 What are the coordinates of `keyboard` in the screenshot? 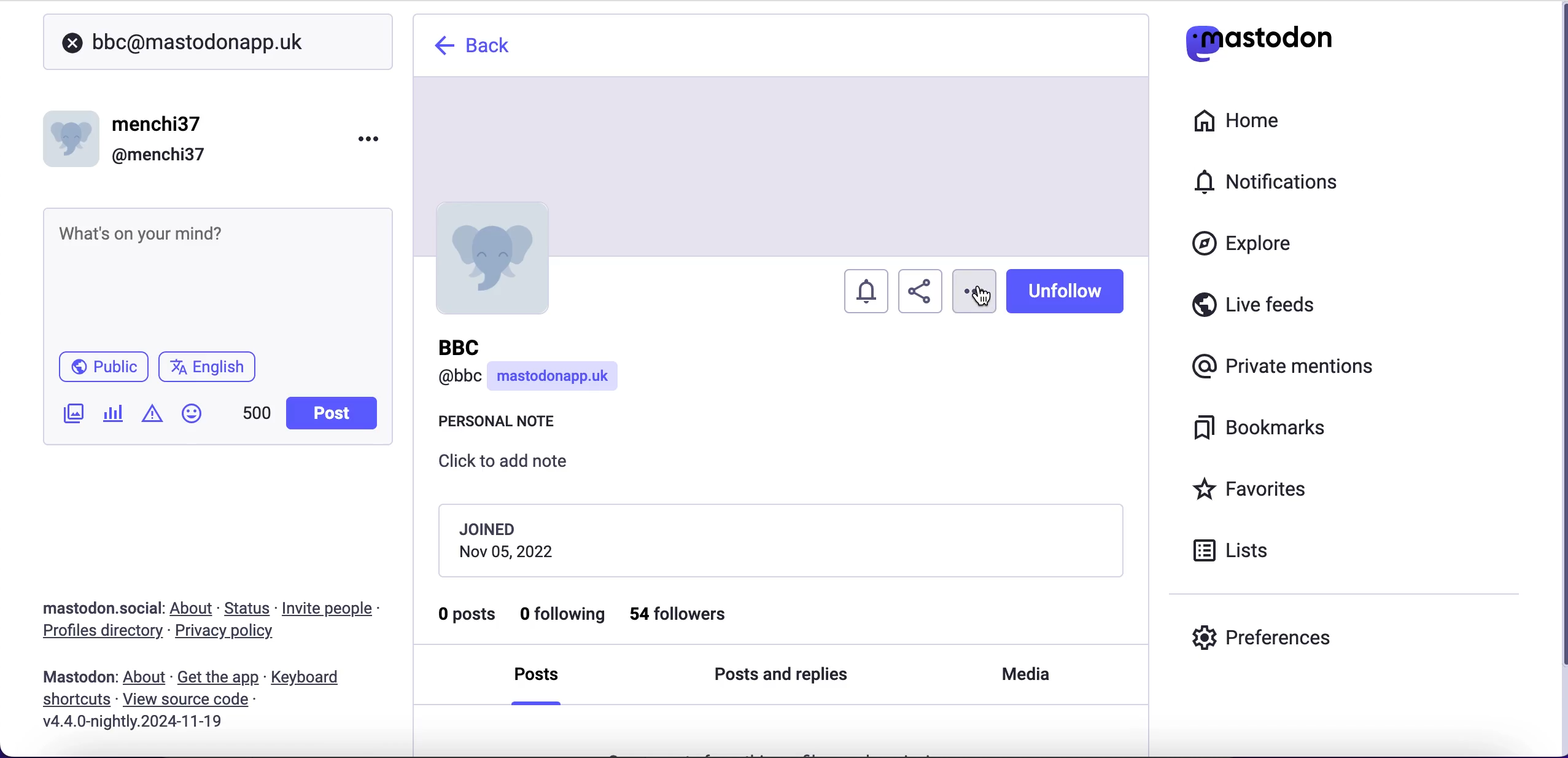 It's located at (309, 679).